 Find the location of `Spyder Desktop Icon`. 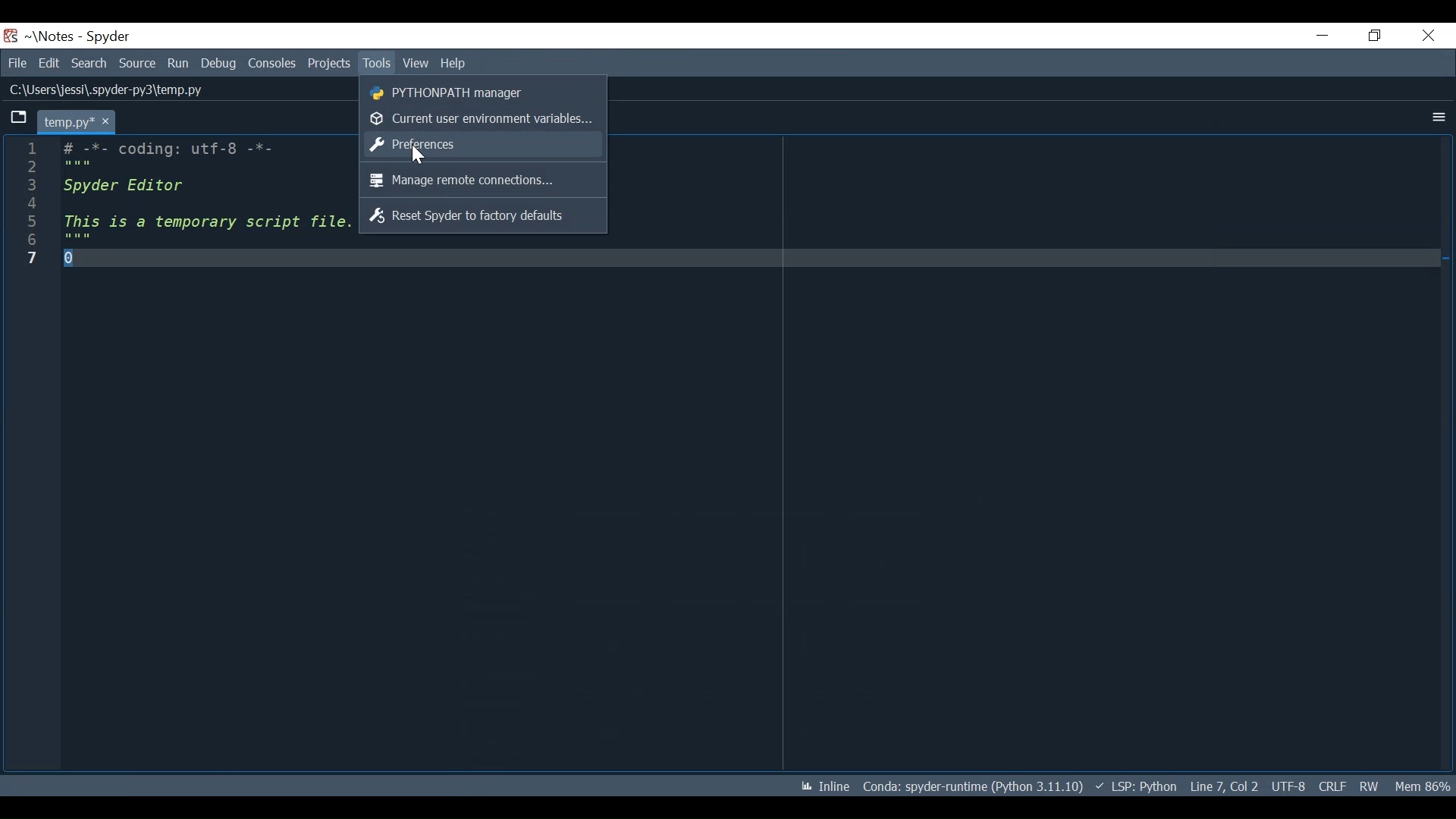

Spyder Desktop Icon is located at coordinates (11, 36).